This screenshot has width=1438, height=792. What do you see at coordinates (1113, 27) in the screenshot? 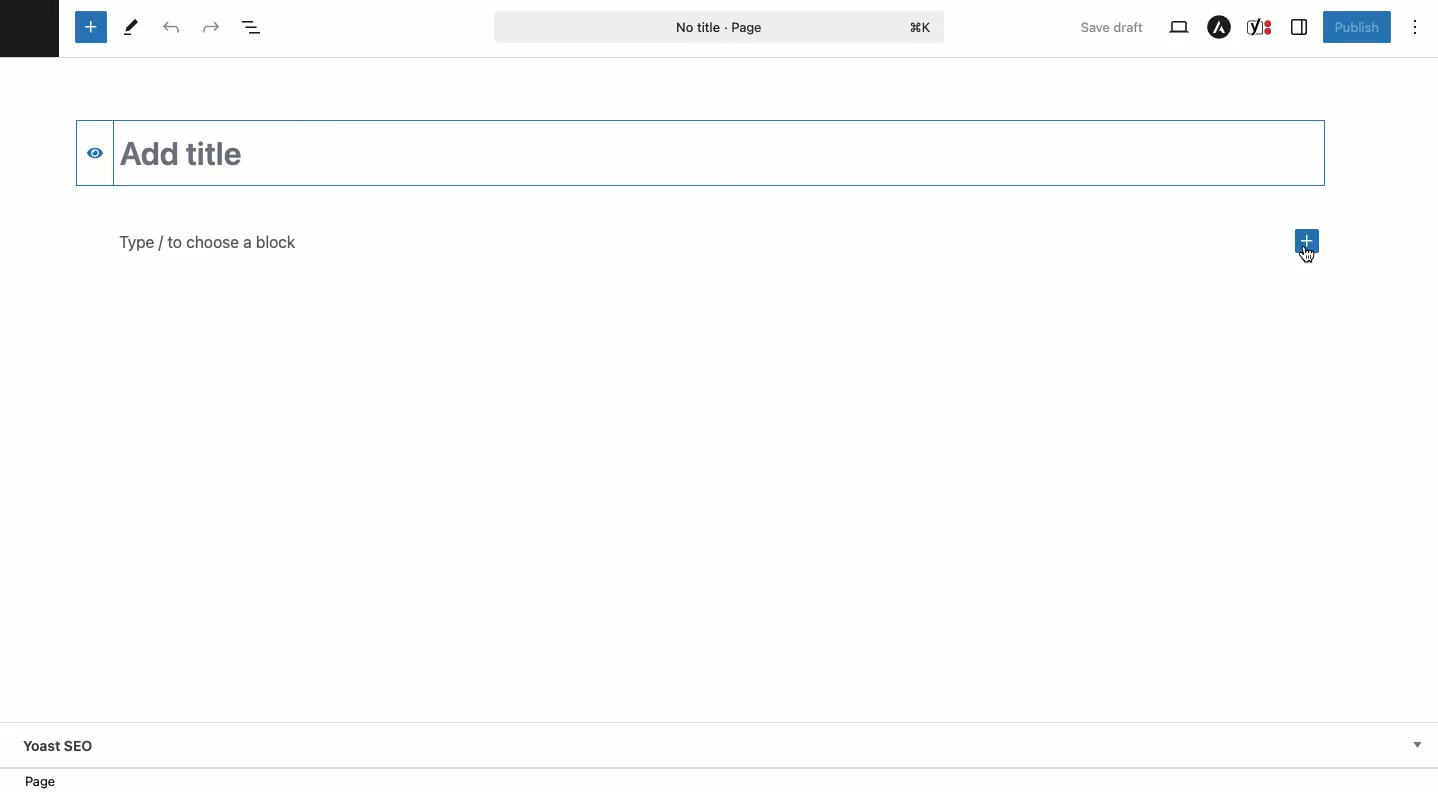
I see `Save draft` at bounding box center [1113, 27].